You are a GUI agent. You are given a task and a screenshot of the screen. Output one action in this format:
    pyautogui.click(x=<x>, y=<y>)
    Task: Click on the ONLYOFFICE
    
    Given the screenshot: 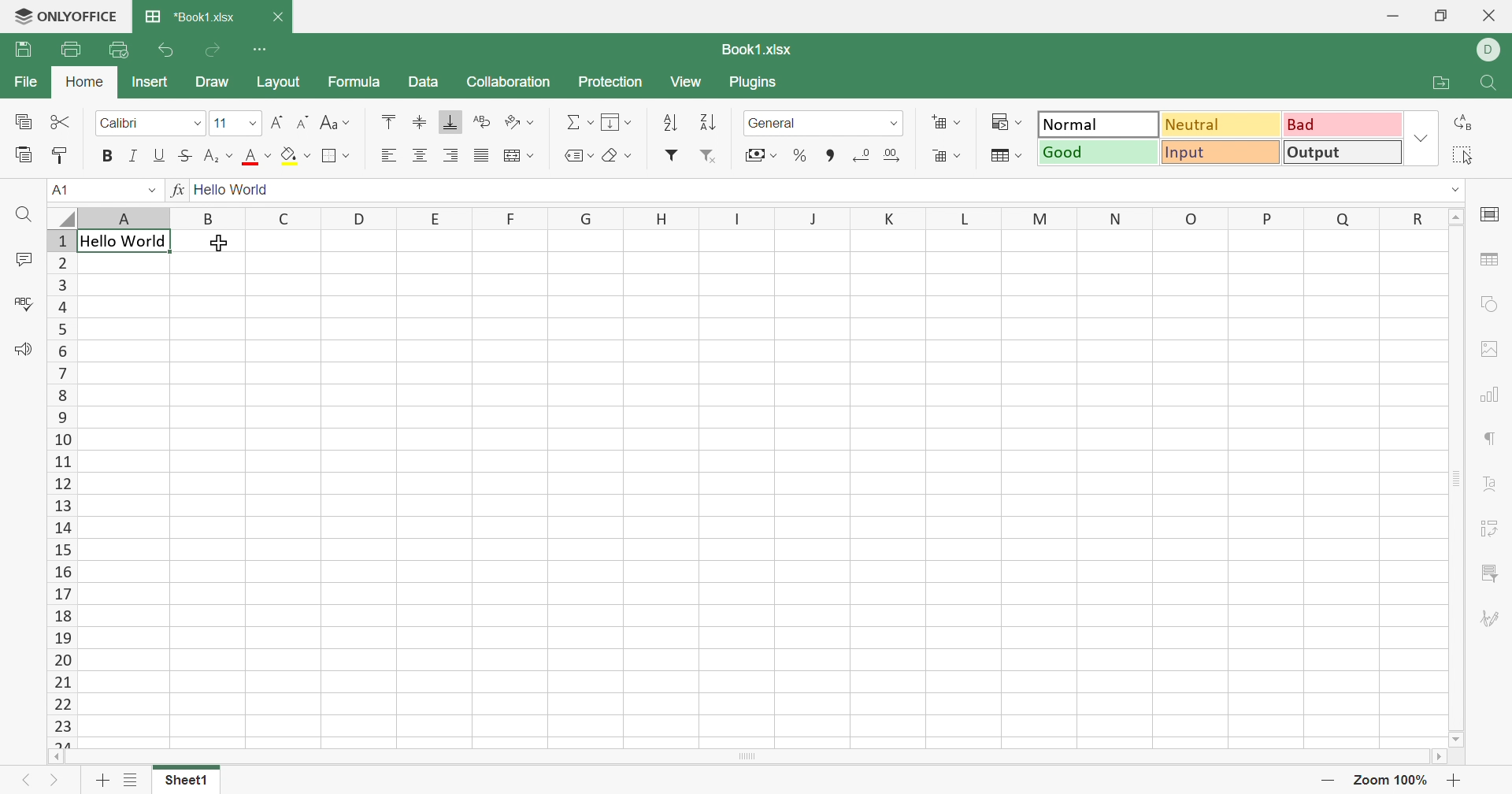 What is the action you would take?
    pyautogui.click(x=65, y=15)
    